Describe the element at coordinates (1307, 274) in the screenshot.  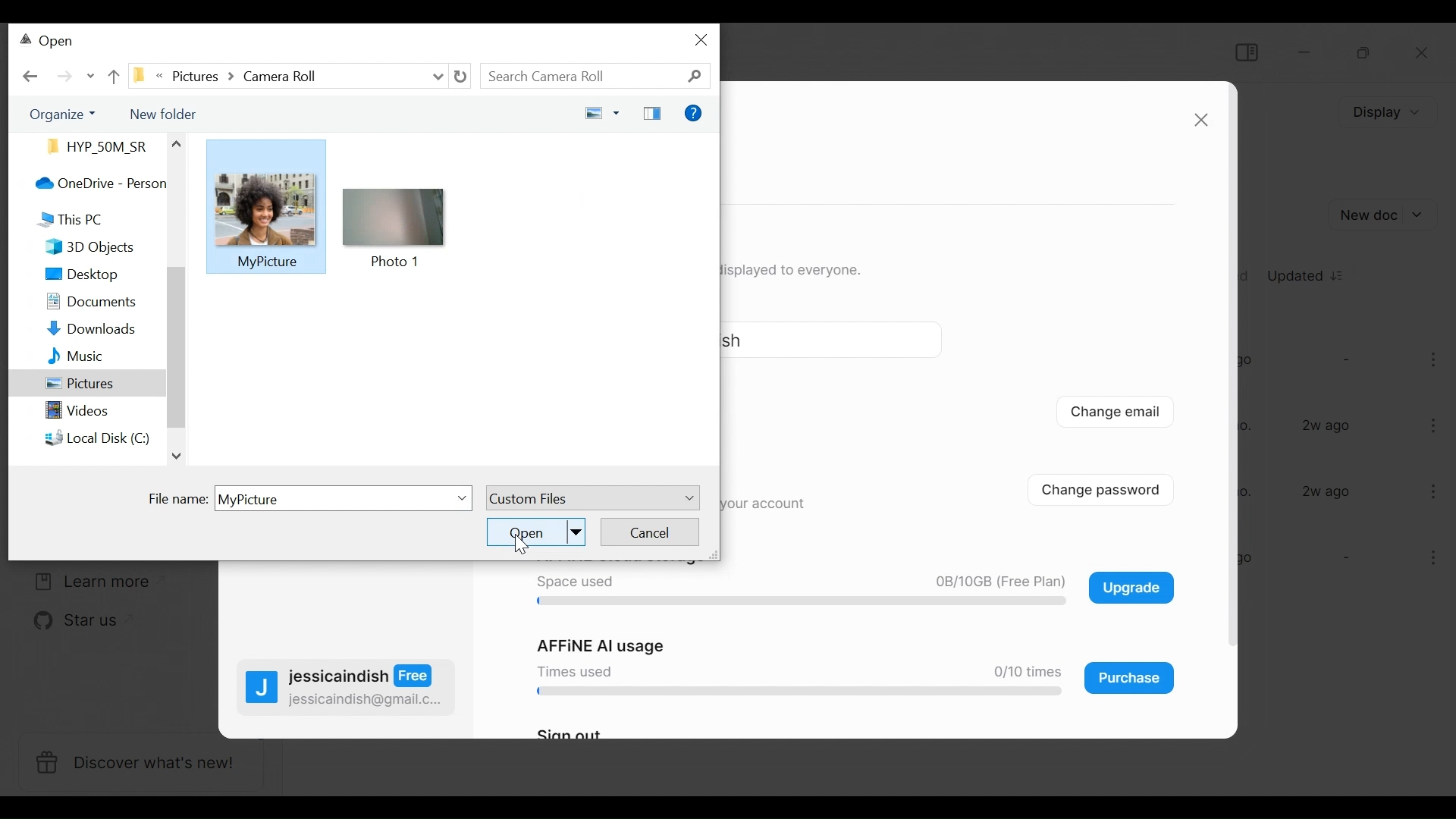
I see `Updated` at that location.